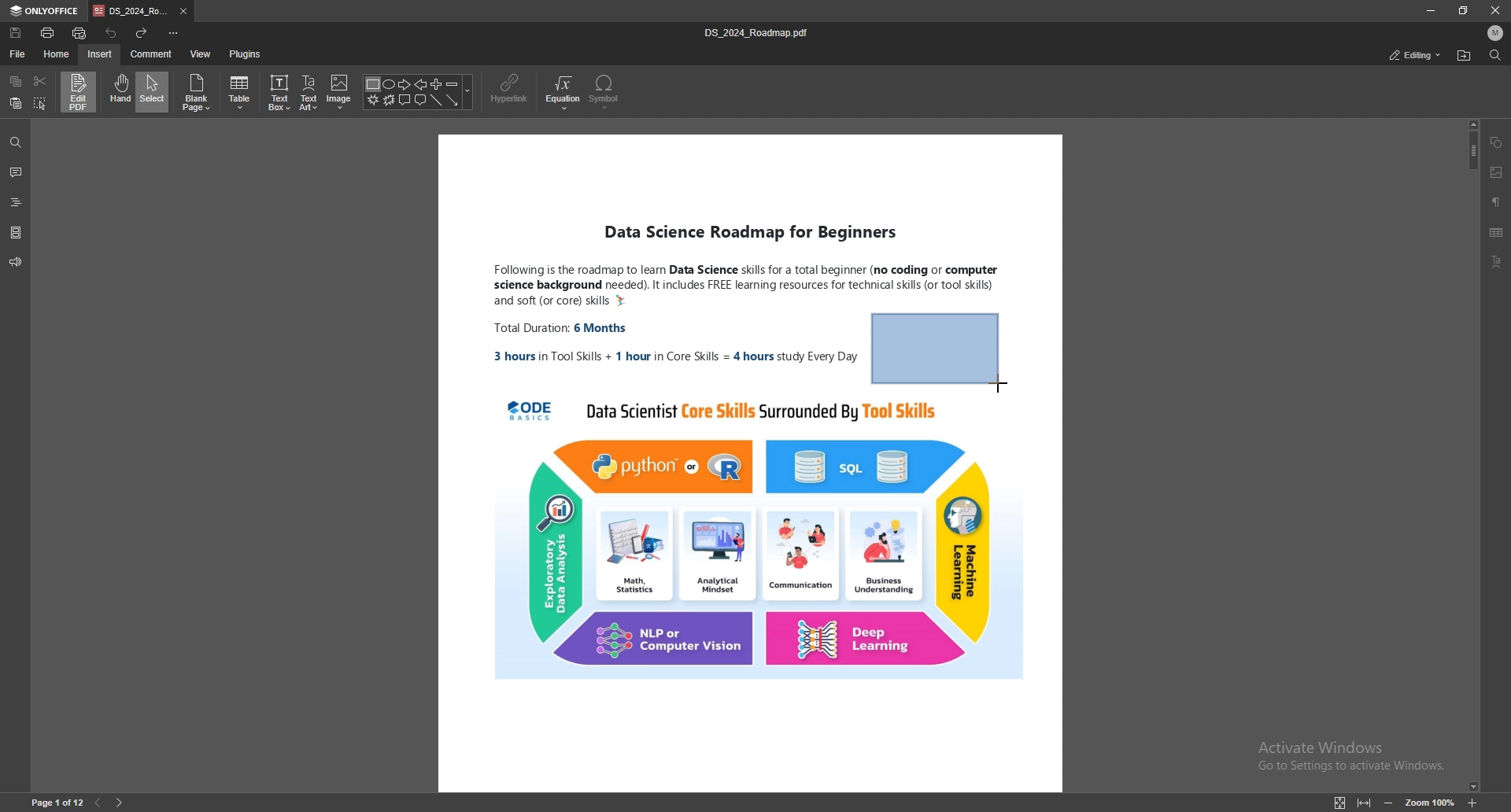 The image size is (1511, 812). Describe the element at coordinates (17, 172) in the screenshot. I see `comment` at that location.